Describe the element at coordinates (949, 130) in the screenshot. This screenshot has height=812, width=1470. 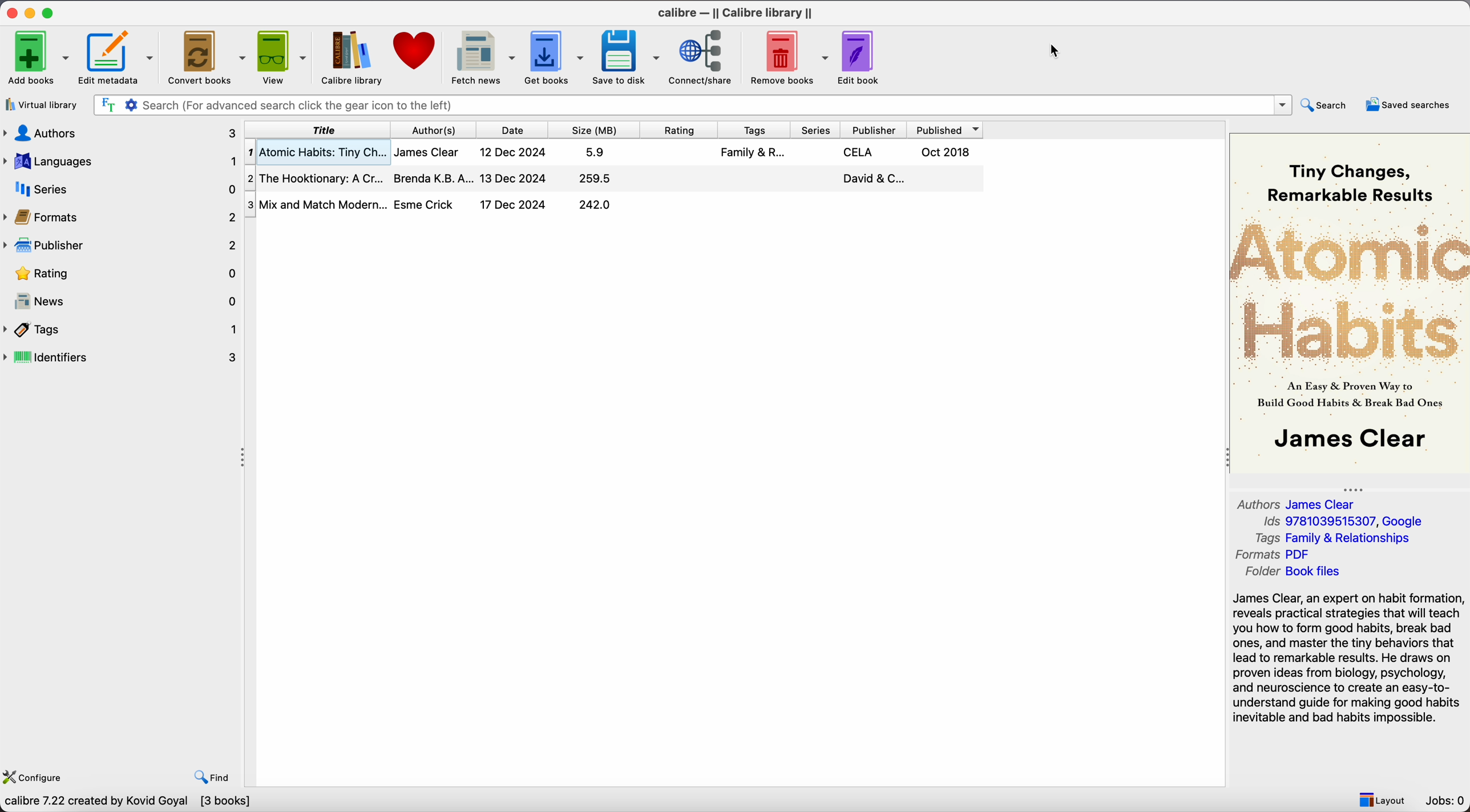
I see `published` at that location.